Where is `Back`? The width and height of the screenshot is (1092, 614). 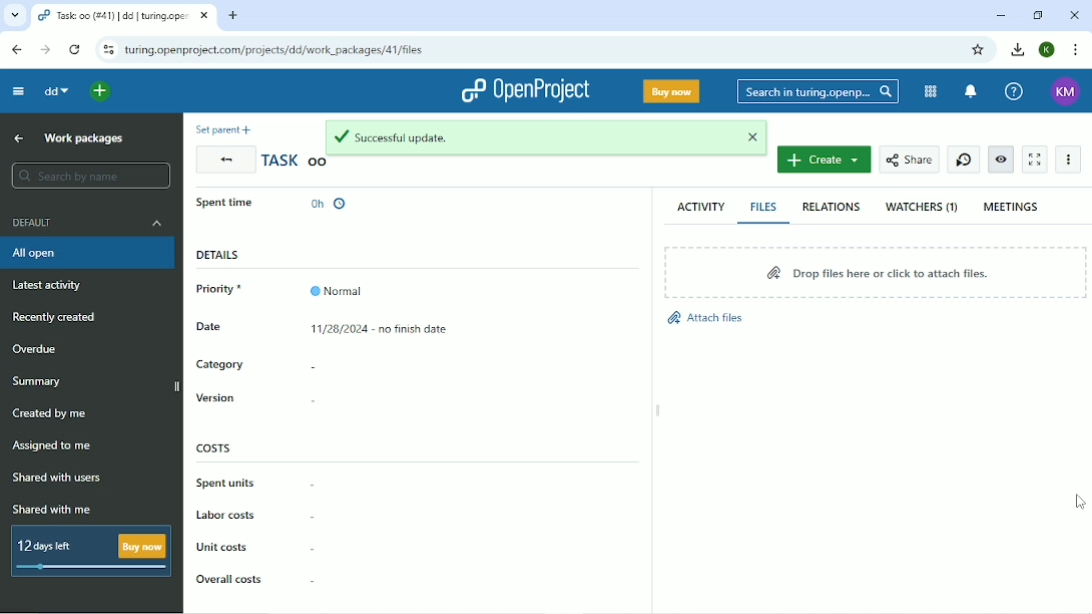
Back is located at coordinates (224, 160).